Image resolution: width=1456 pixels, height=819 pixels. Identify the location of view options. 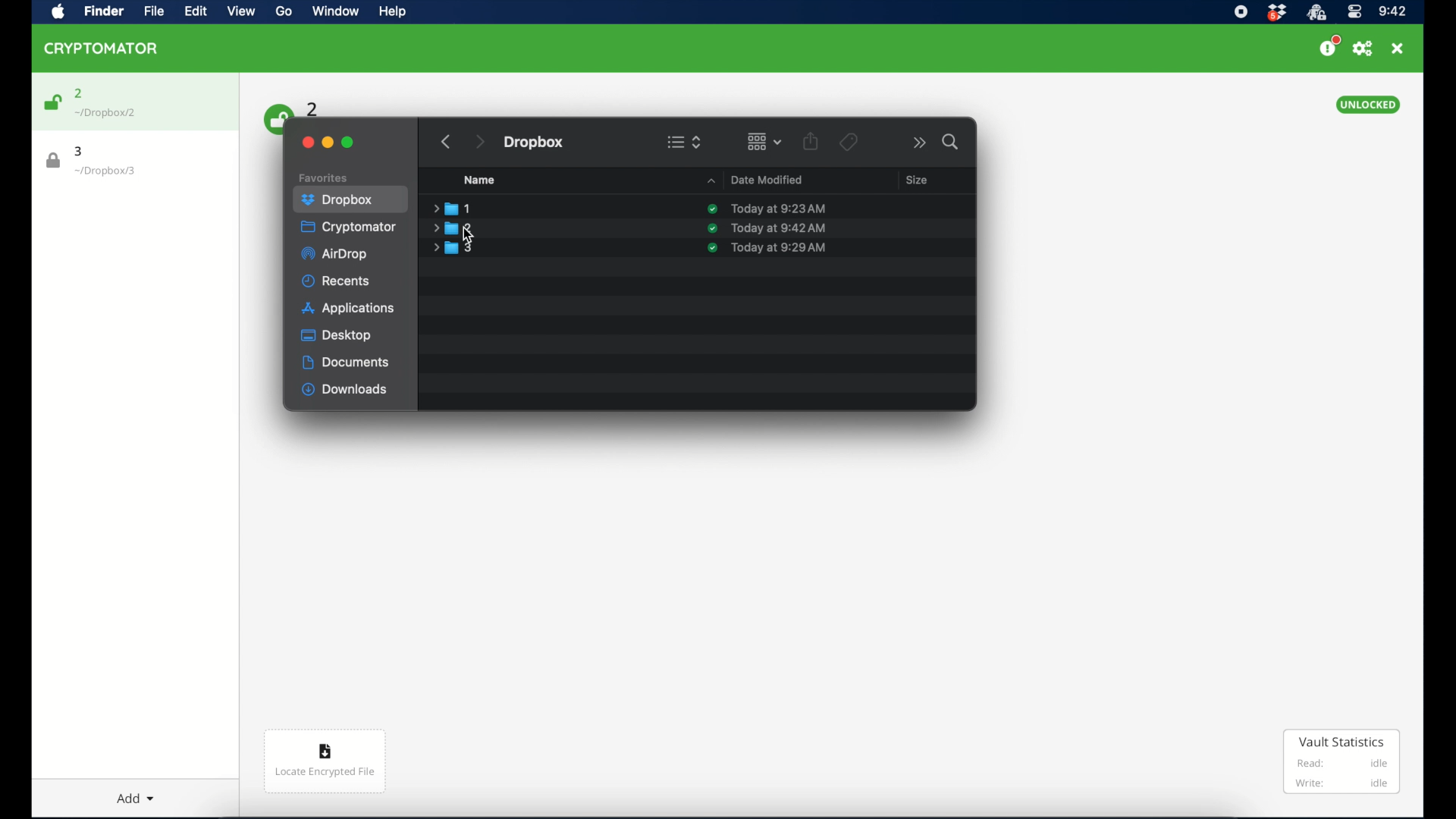
(684, 142).